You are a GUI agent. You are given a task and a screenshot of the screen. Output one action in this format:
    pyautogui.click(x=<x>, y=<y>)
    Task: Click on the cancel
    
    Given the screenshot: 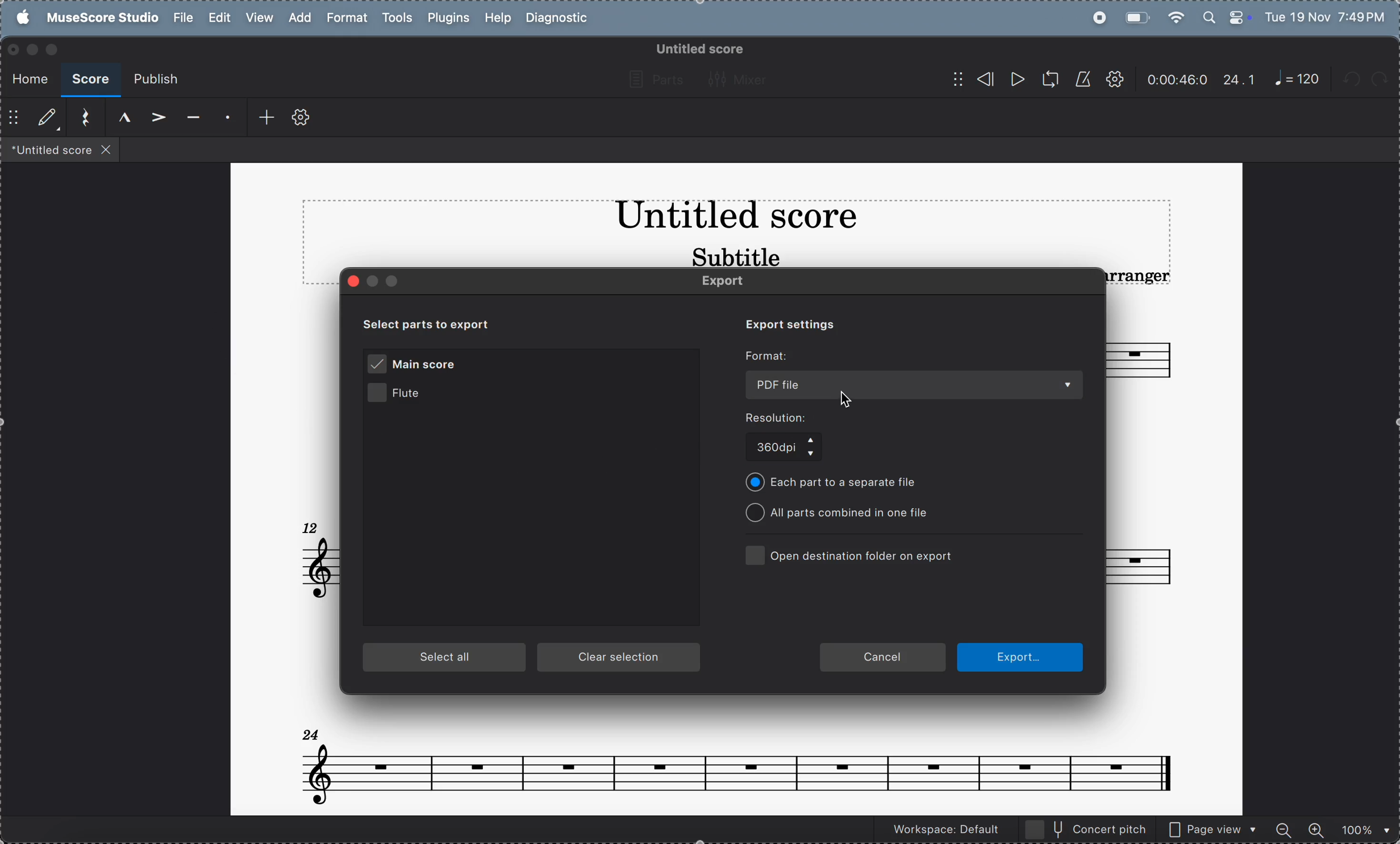 What is the action you would take?
    pyautogui.click(x=883, y=655)
    